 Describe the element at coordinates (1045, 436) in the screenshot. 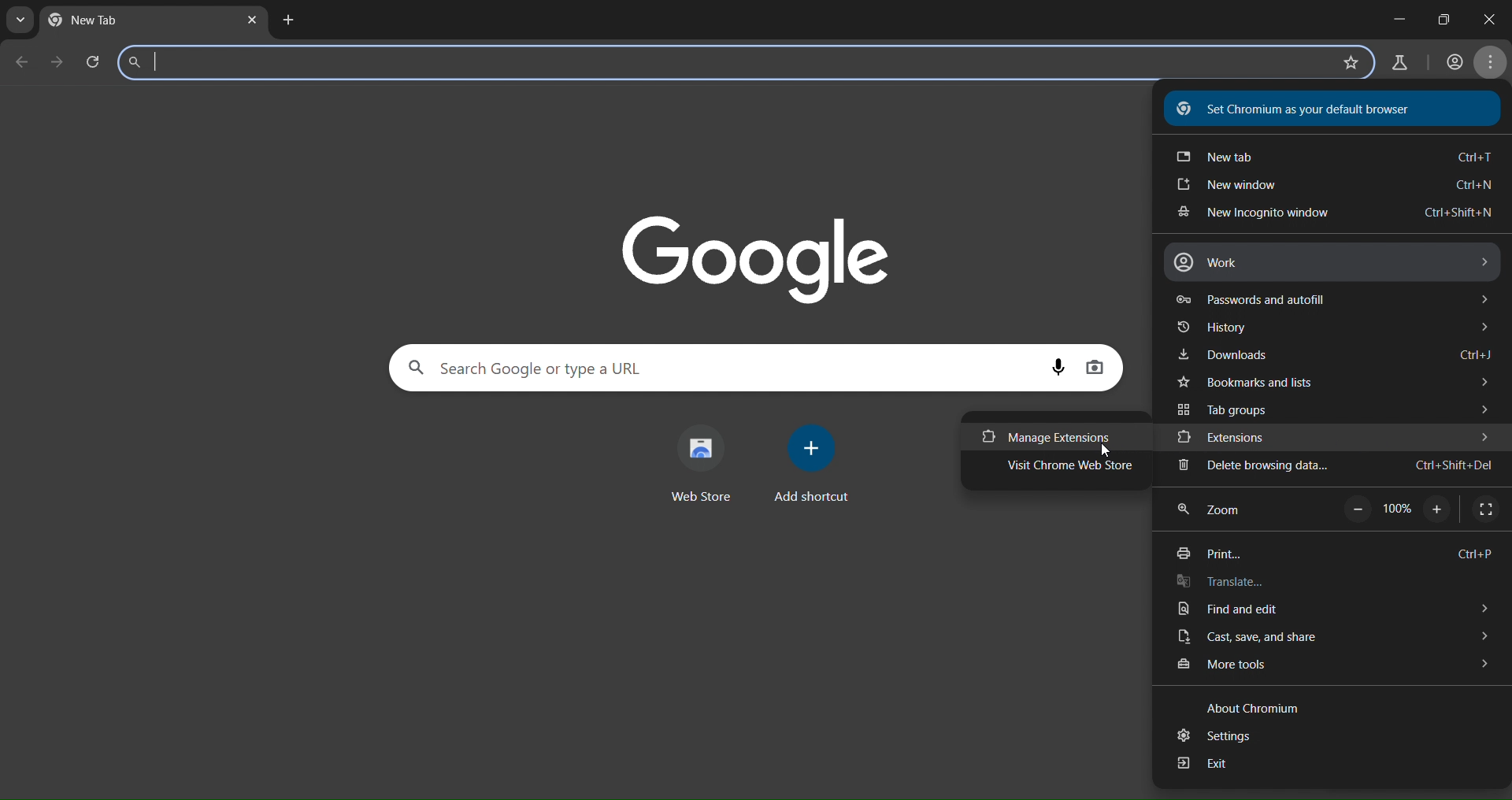

I see `manage extensions` at that location.